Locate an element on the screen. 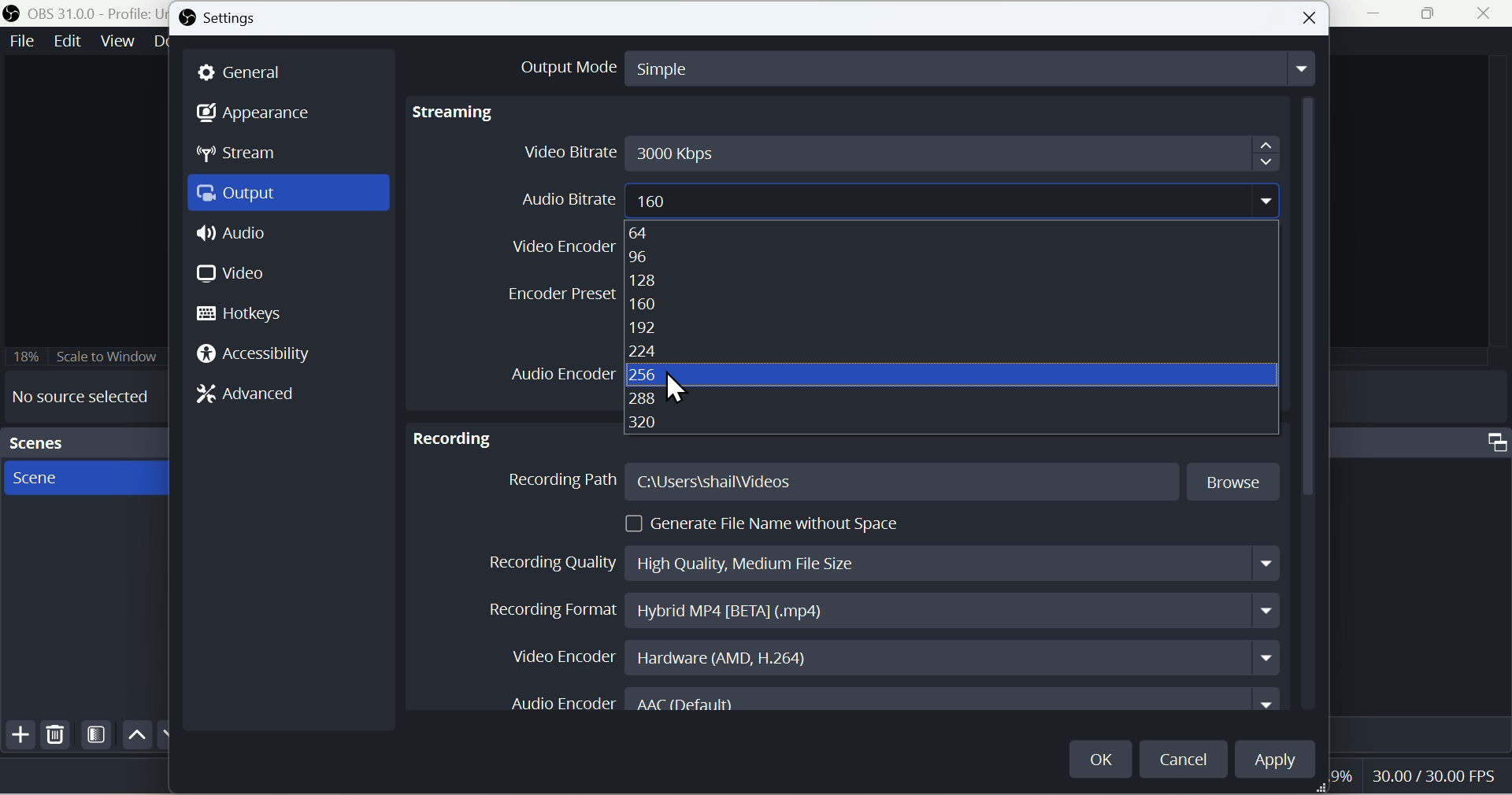 The width and height of the screenshot is (1512, 795). OBS 31.0 .0 is located at coordinates (82, 13).